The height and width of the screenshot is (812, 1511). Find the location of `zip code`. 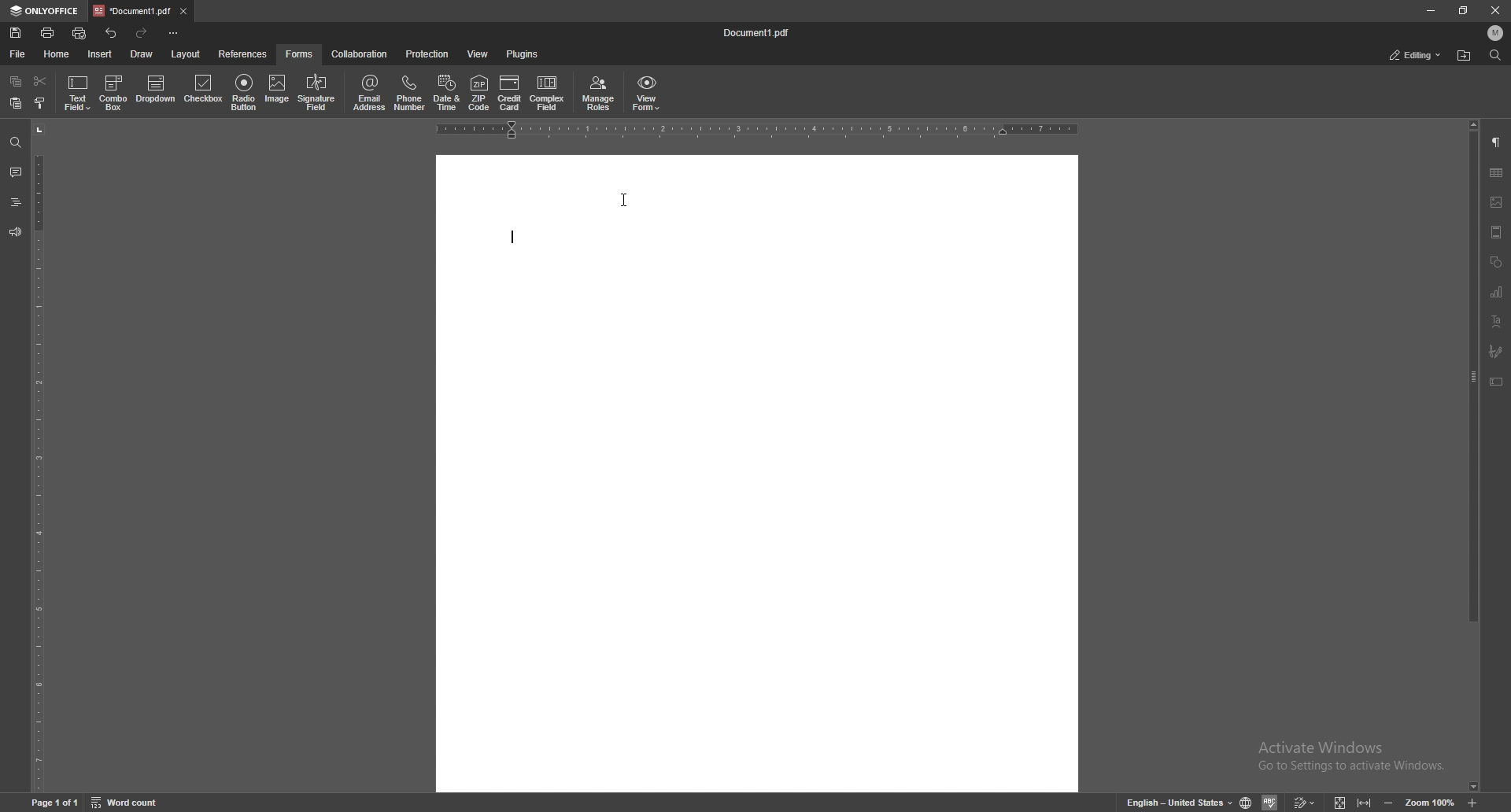

zip code is located at coordinates (479, 93).